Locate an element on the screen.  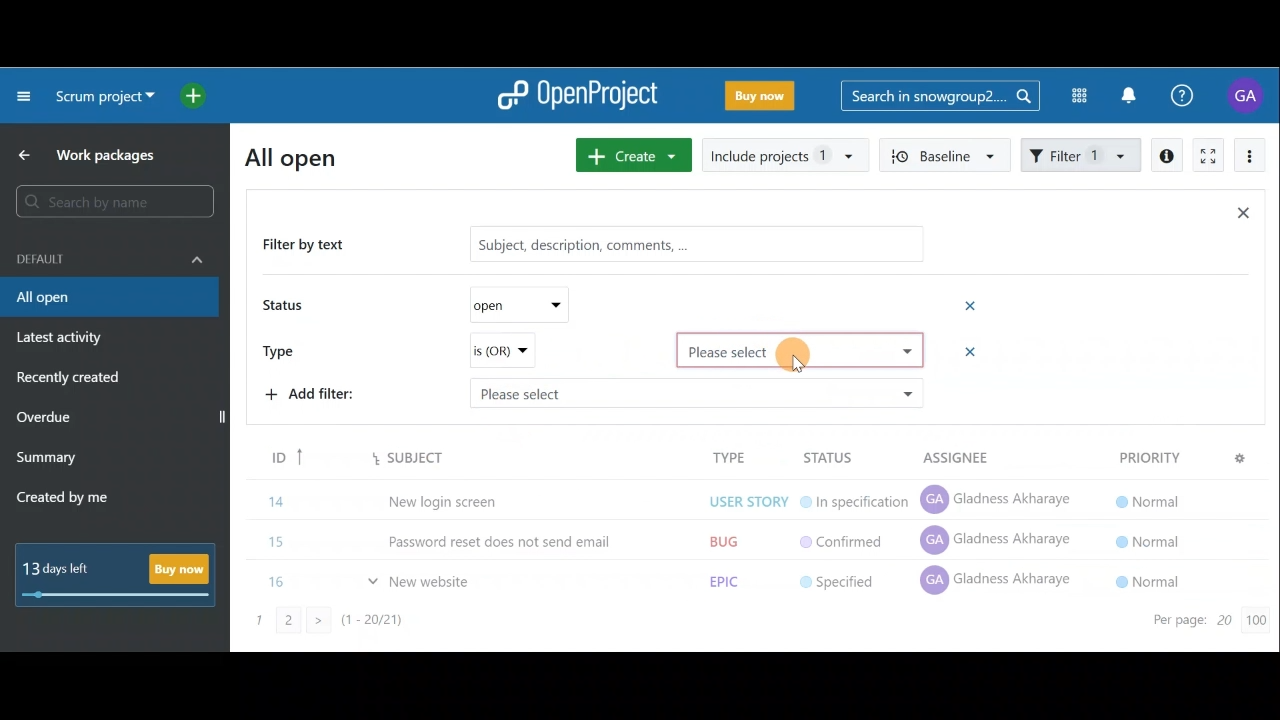
Item 16 is located at coordinates (733, 577).